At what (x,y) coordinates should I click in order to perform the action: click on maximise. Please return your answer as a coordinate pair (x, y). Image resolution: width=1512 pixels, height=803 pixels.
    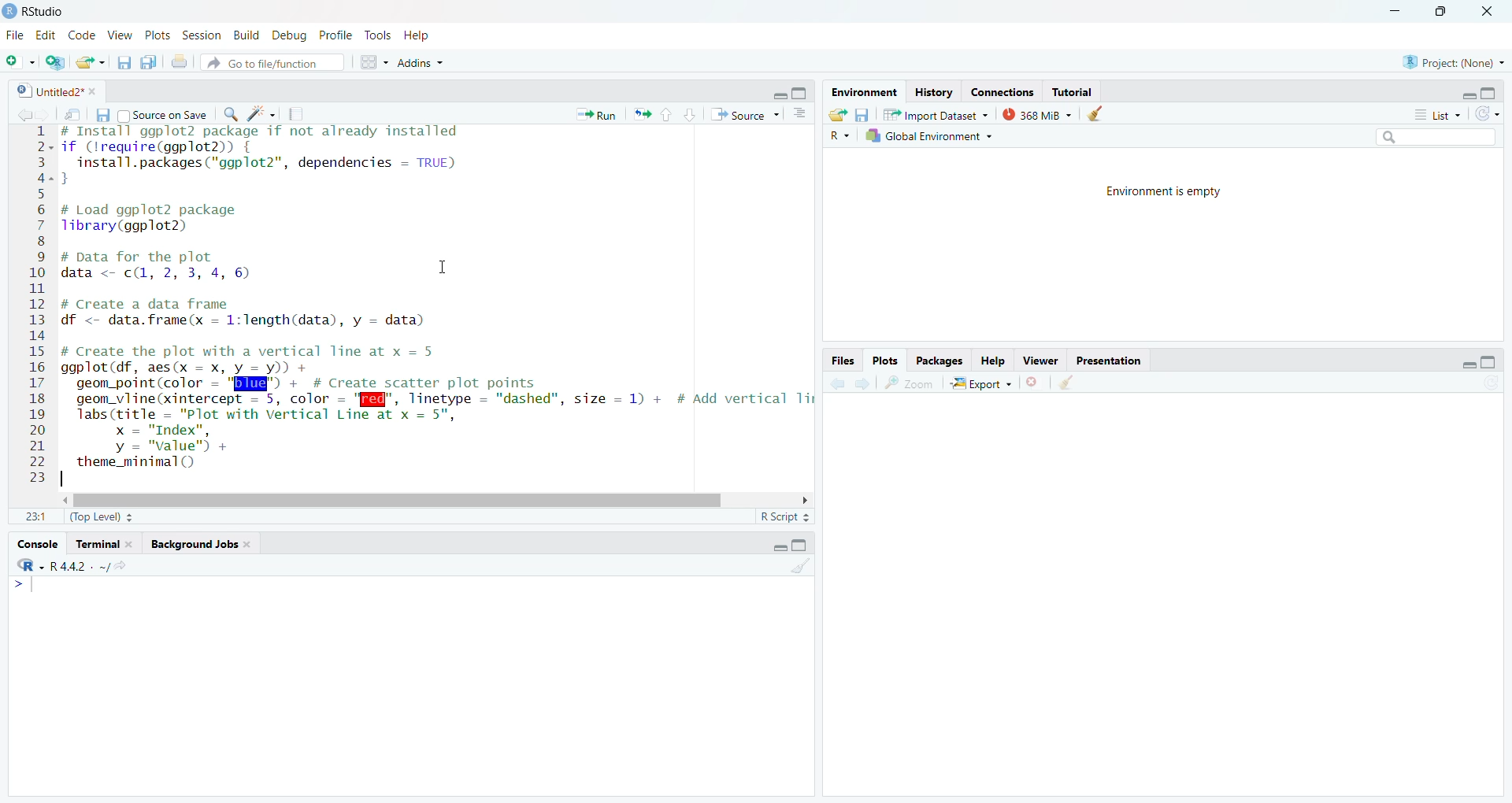
    Looking at the image, I should click on (802, 92).